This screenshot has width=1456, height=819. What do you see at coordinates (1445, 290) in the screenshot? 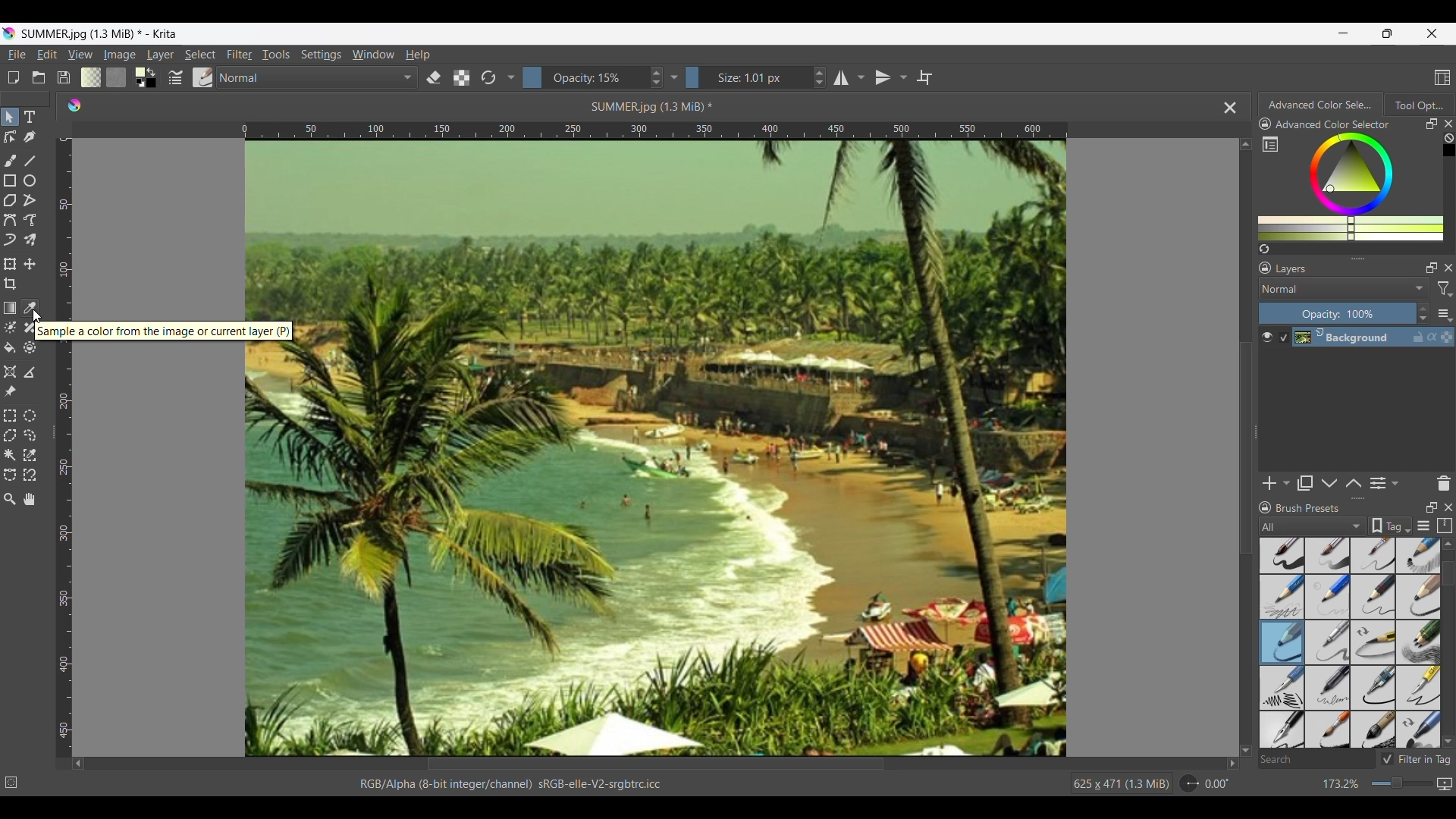
I see `Filter options` at bounding box center [1445, 290].